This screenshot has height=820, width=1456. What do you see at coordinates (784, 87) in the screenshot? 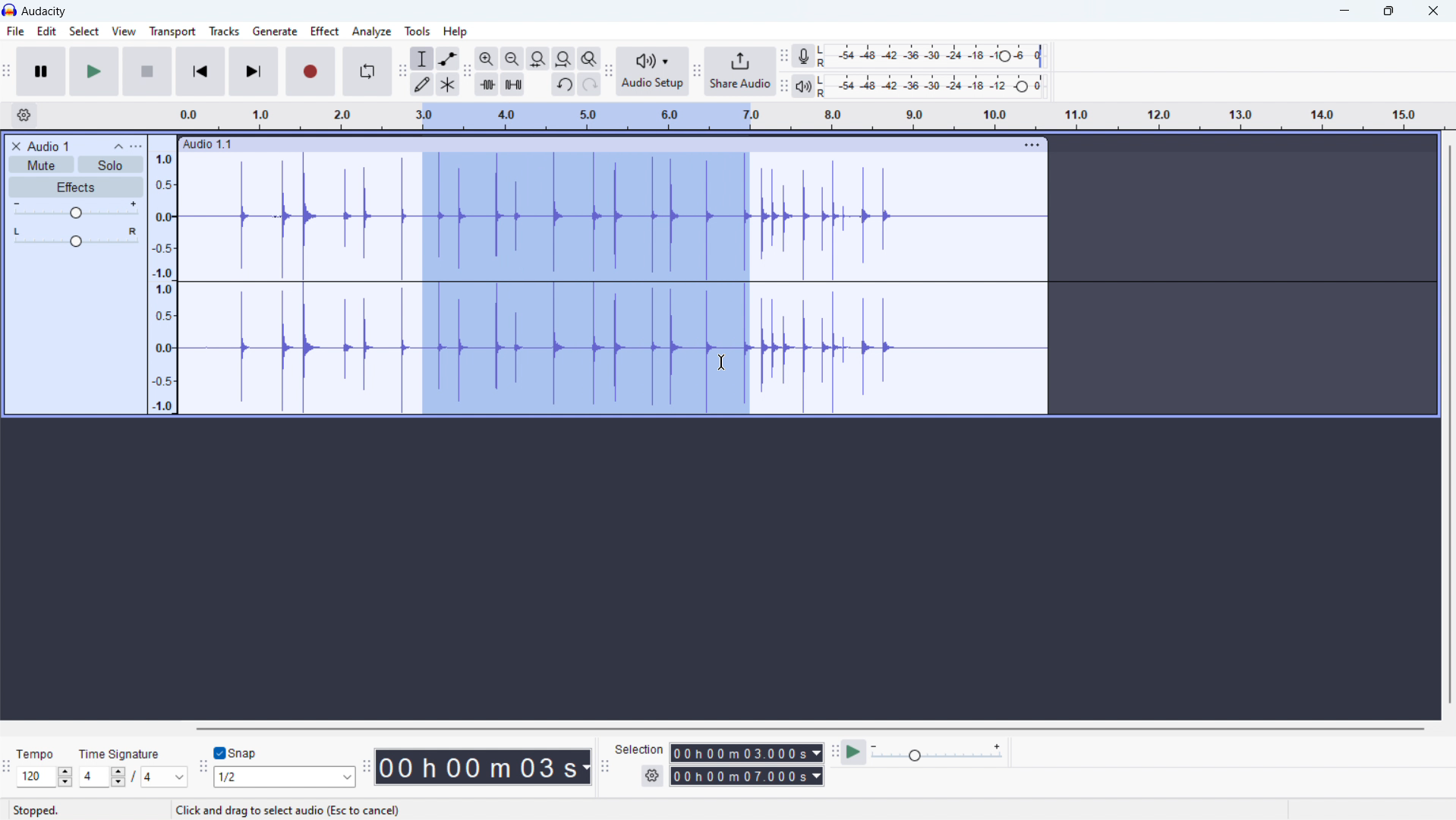
I see `playback meter toolbar` at bounding box center [784, 87].